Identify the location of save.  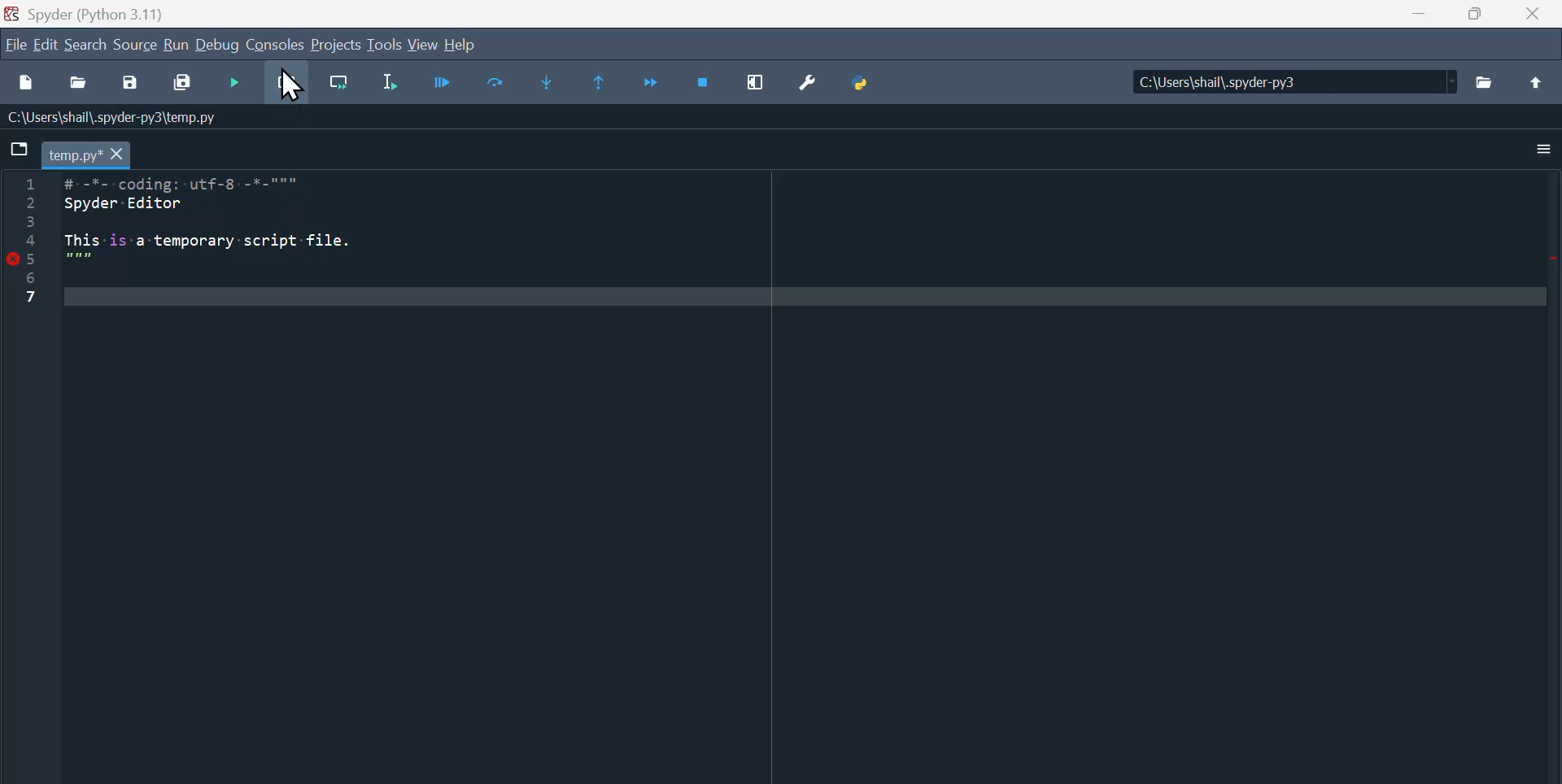
(127, 85).